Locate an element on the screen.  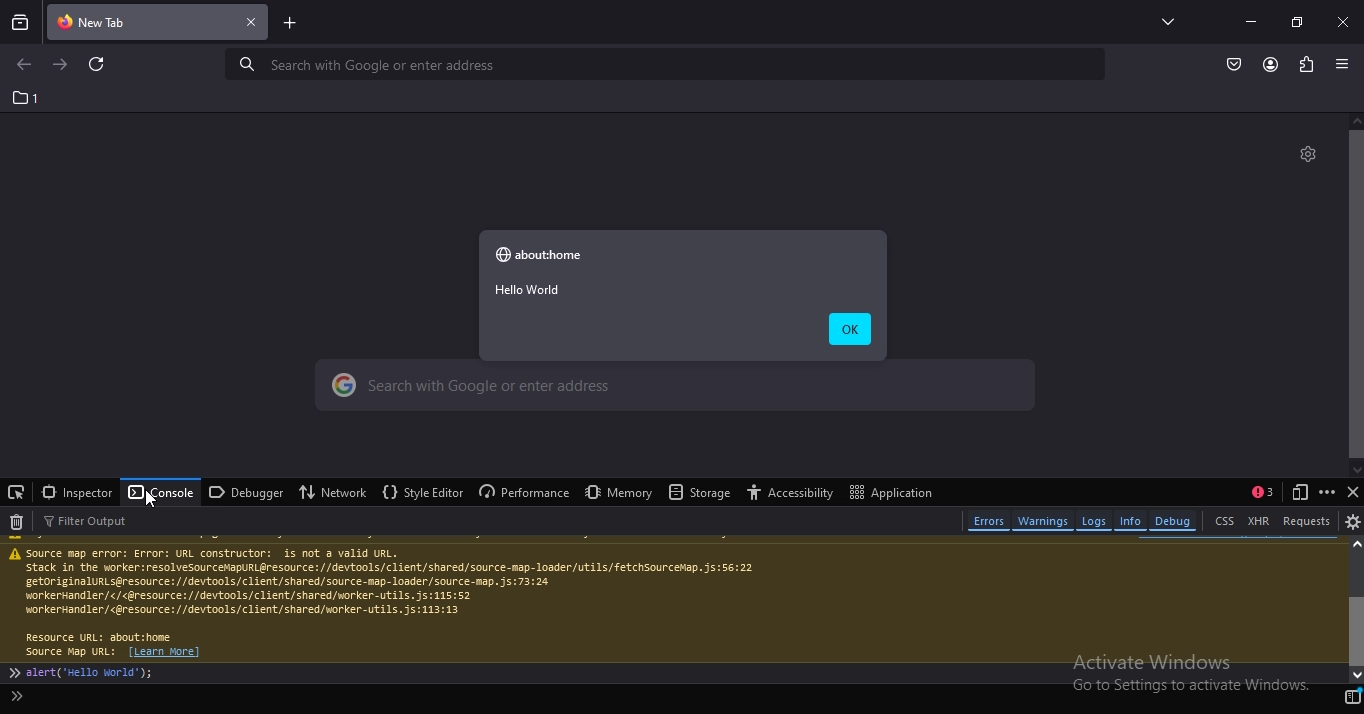
responsive deign mode is located at coordinates (1301, 492).